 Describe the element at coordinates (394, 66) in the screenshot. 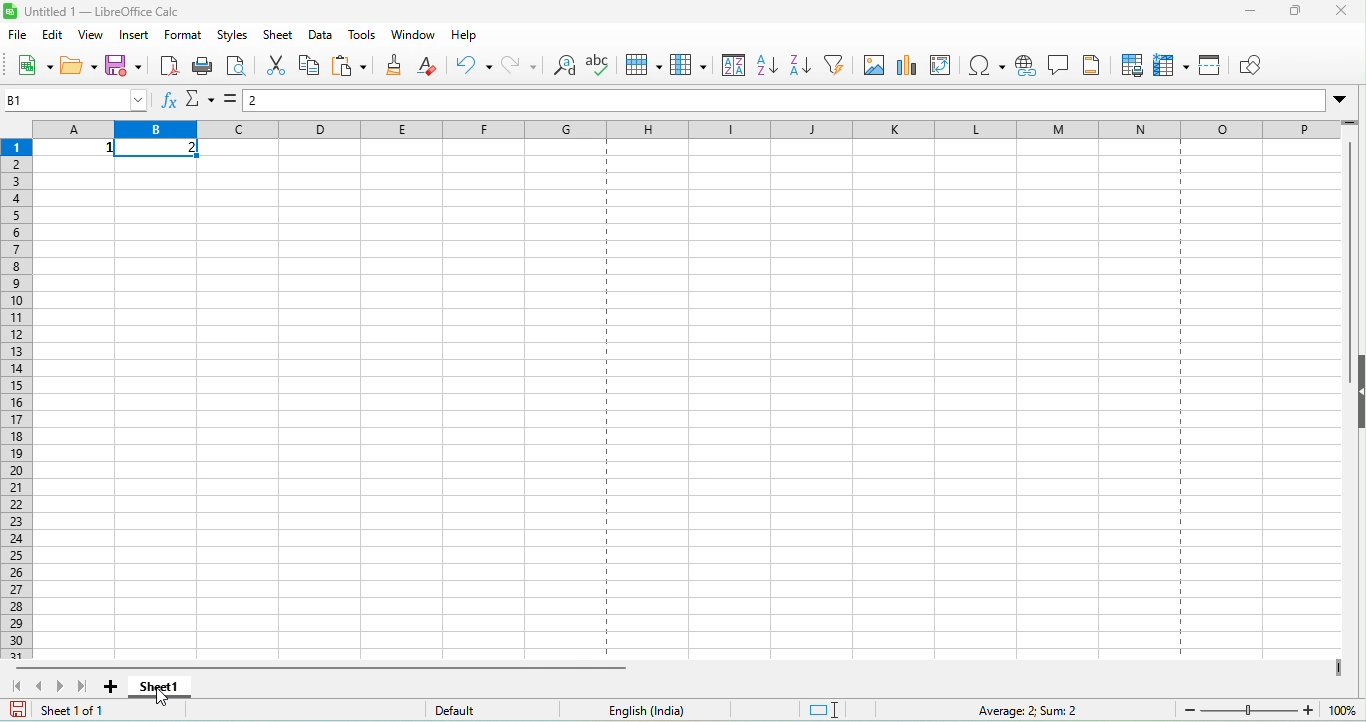

I see `clone formatting` at that location.